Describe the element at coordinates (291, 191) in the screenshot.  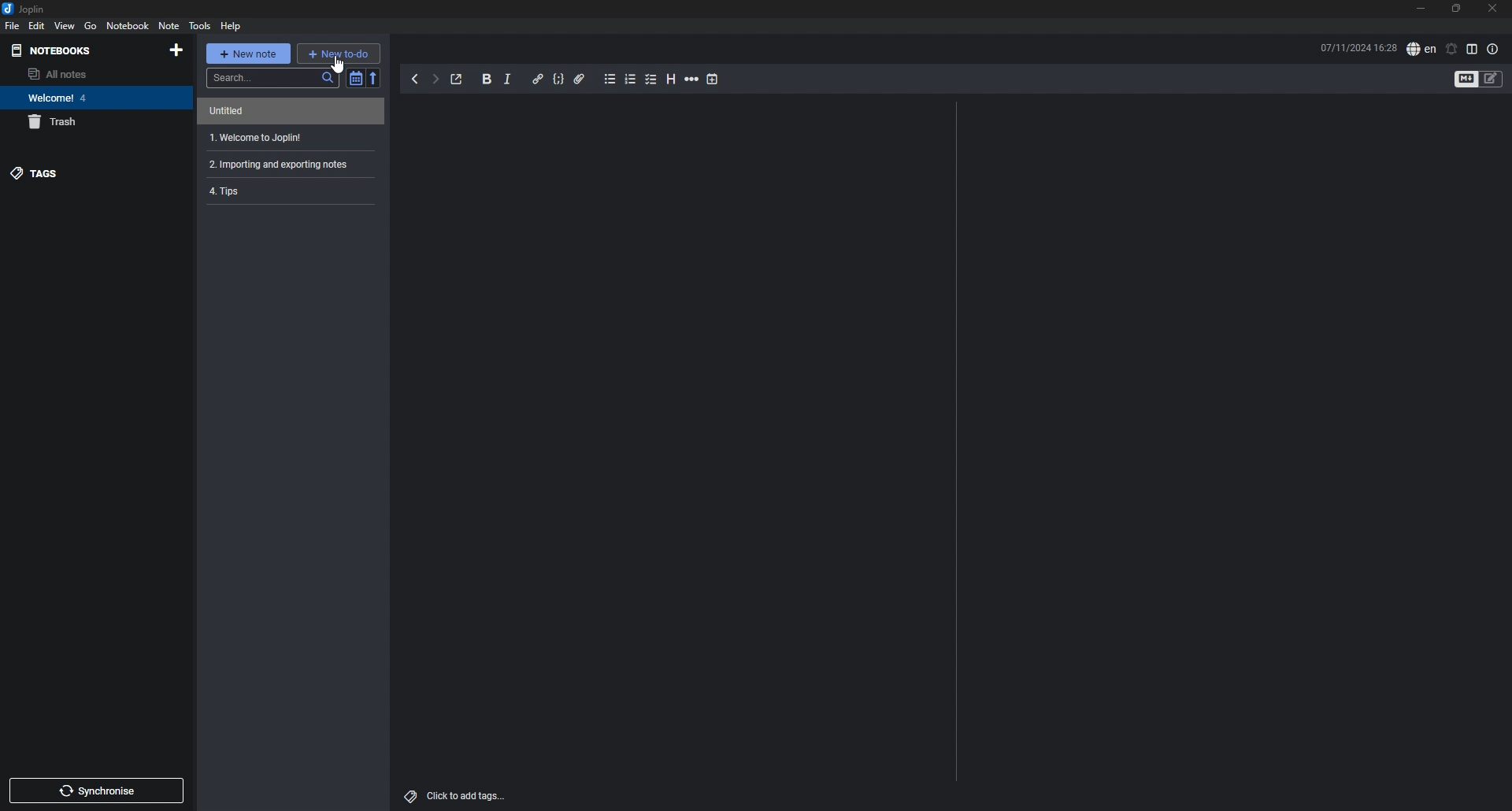
I see `note` at that location.